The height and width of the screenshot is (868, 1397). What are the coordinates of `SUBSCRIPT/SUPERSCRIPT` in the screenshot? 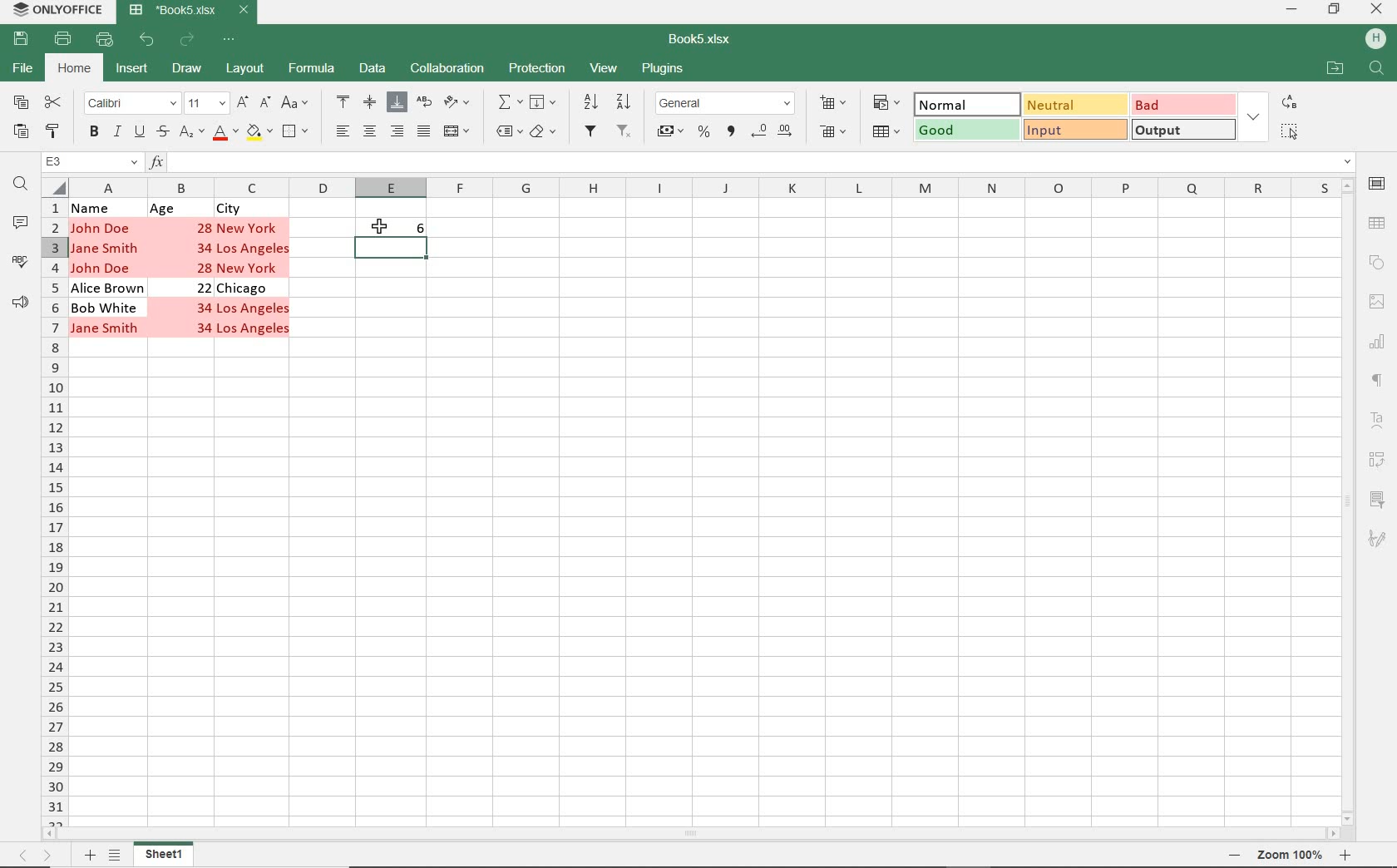 It's located at (191, 134).